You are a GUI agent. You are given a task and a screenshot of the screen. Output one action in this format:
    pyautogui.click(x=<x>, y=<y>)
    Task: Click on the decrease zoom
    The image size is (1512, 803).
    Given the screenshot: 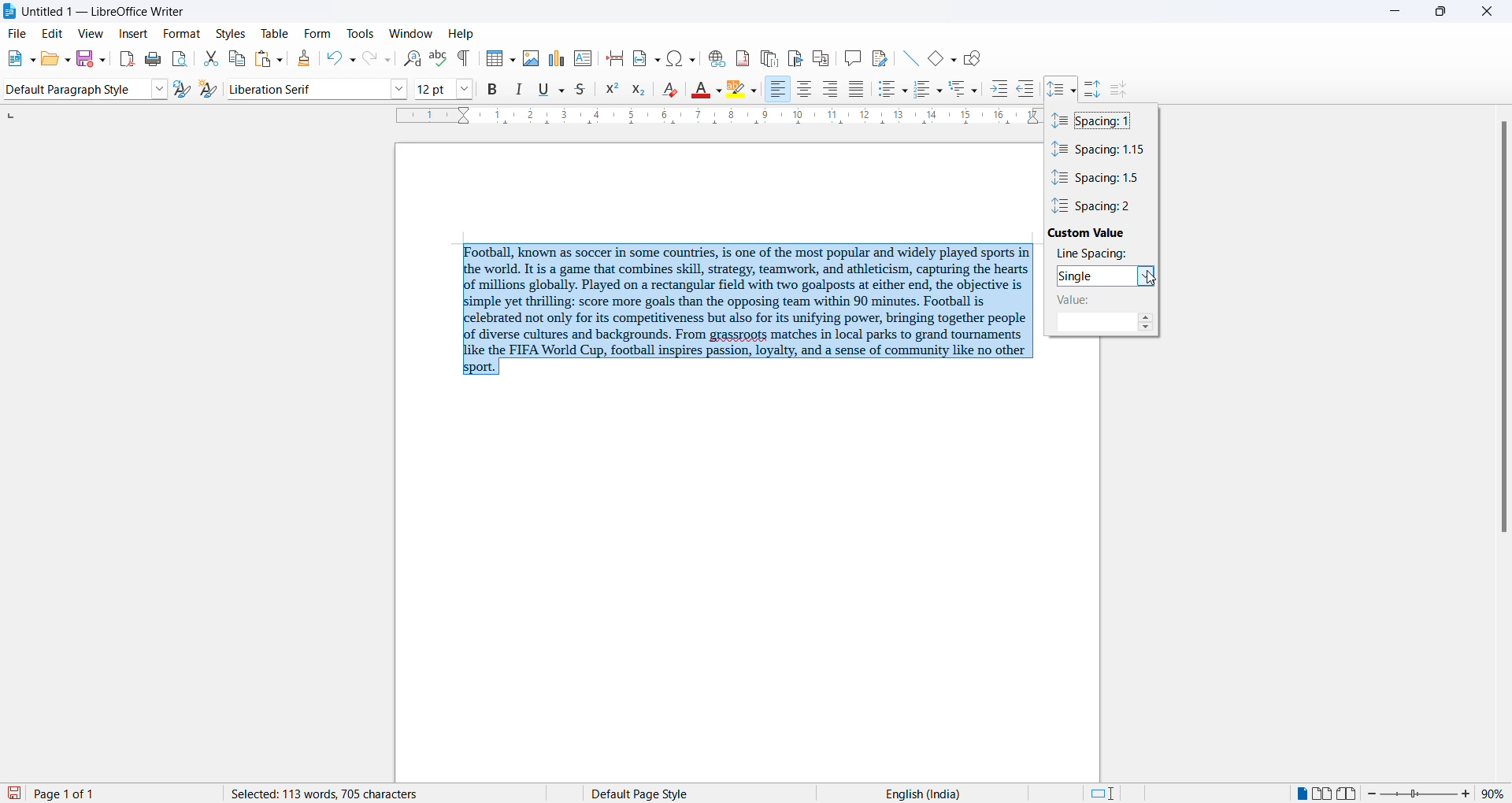 What is the action you would take?
    pyautogui.click(x=1373, y=794)
    